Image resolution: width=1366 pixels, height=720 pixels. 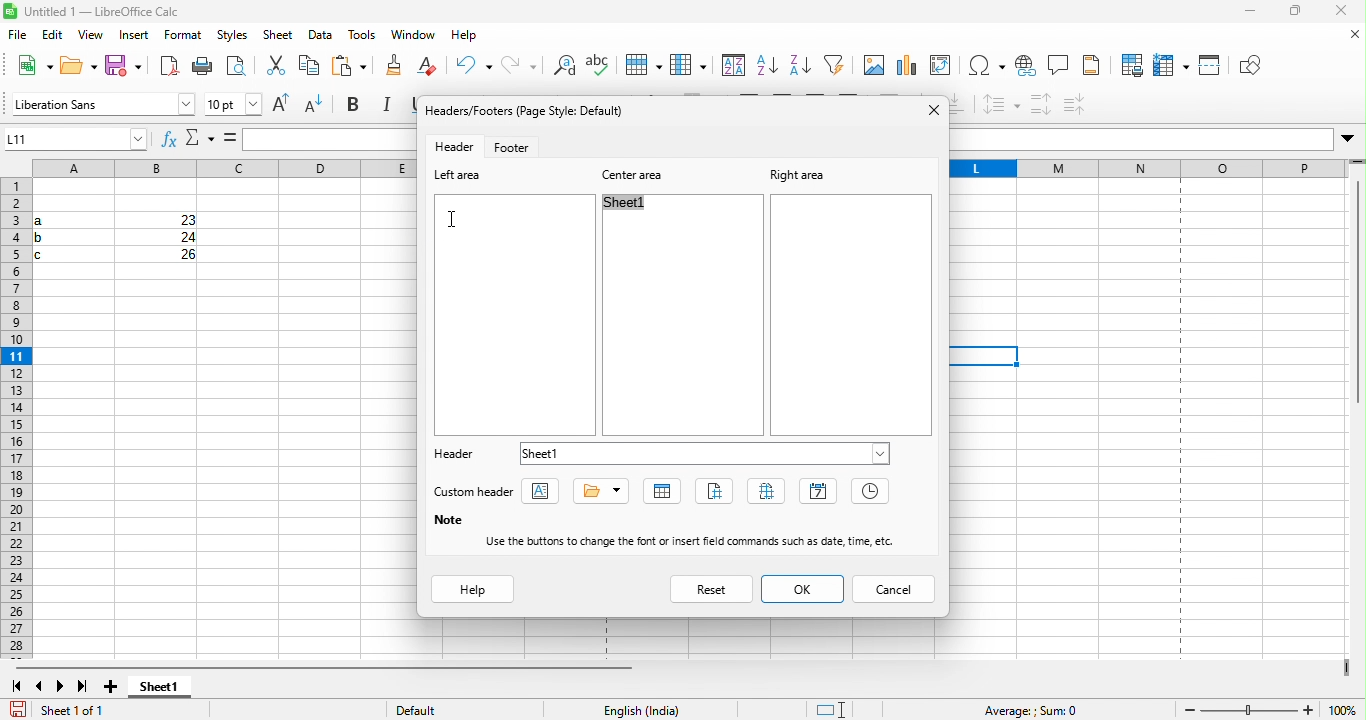 What do you see at coordinates (870, 67) in the screenshot?
I see `chat` at bounding box center [870, 67].